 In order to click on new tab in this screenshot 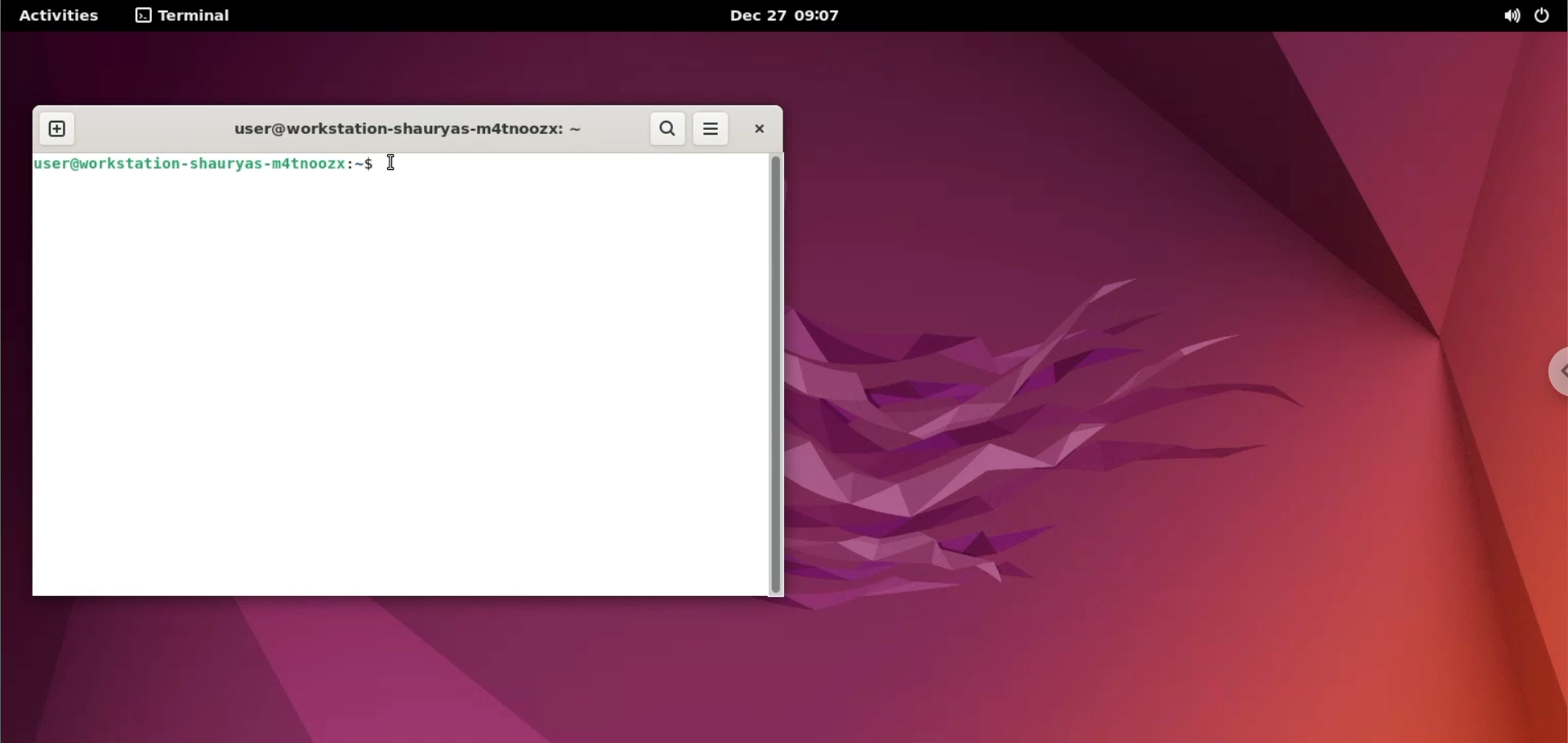, I will do `click(51, 130)`.